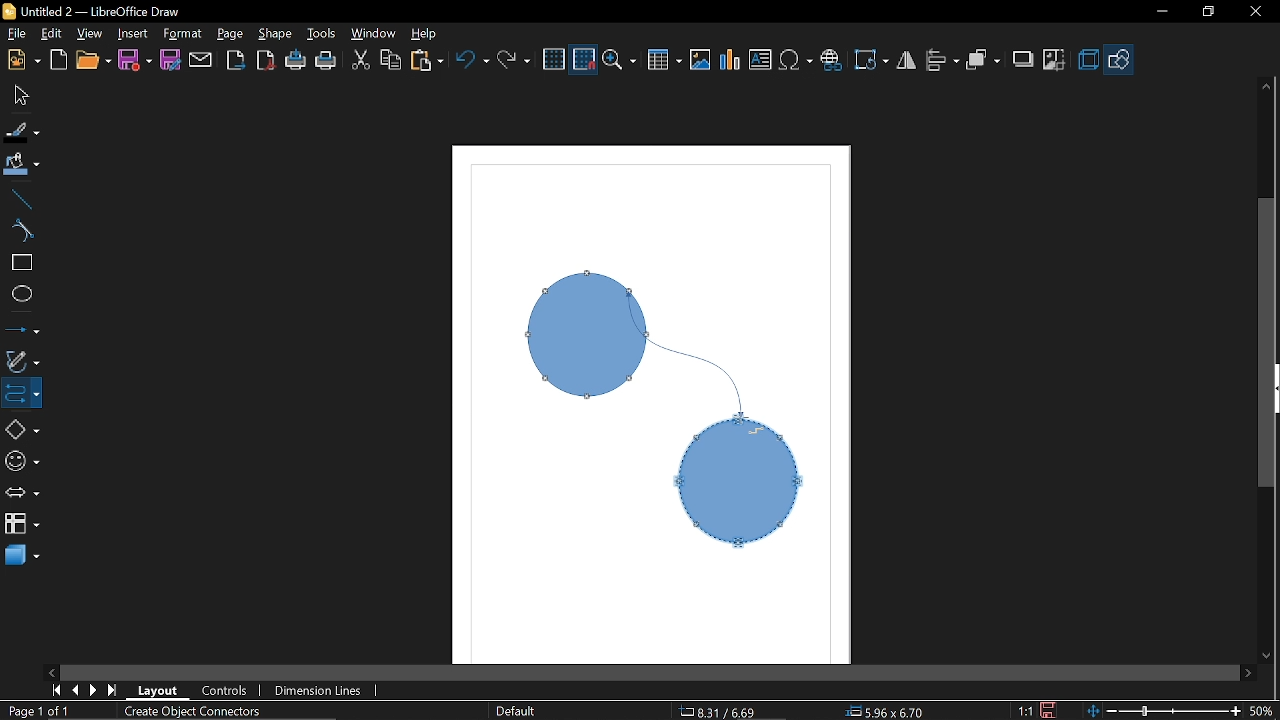  Describe the element at coordinates (1051, 709) in the screenshot. I see `Save` at that location.